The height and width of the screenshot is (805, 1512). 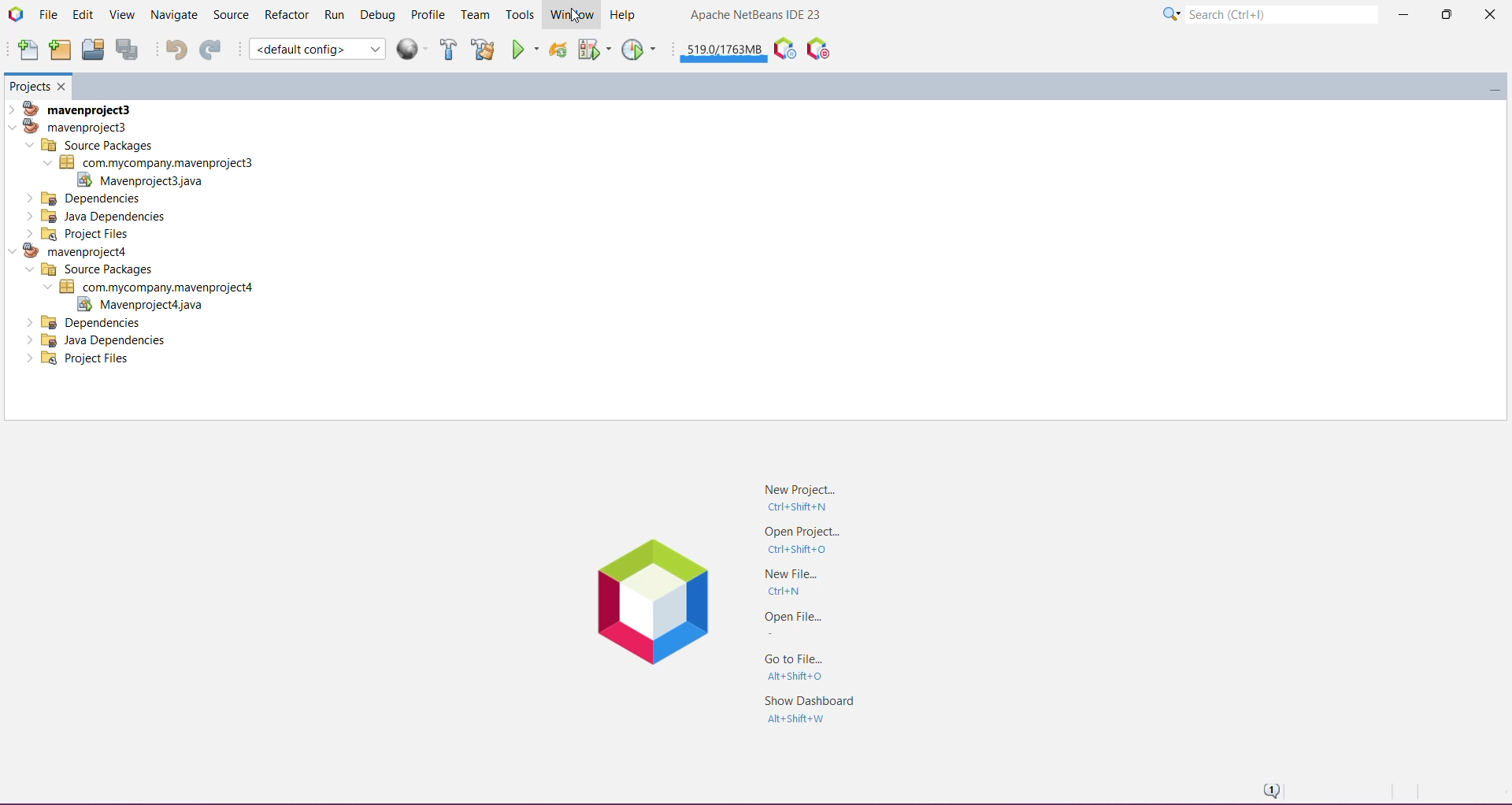 I want to click on Debug Main Project, so click(x=593, y=49).